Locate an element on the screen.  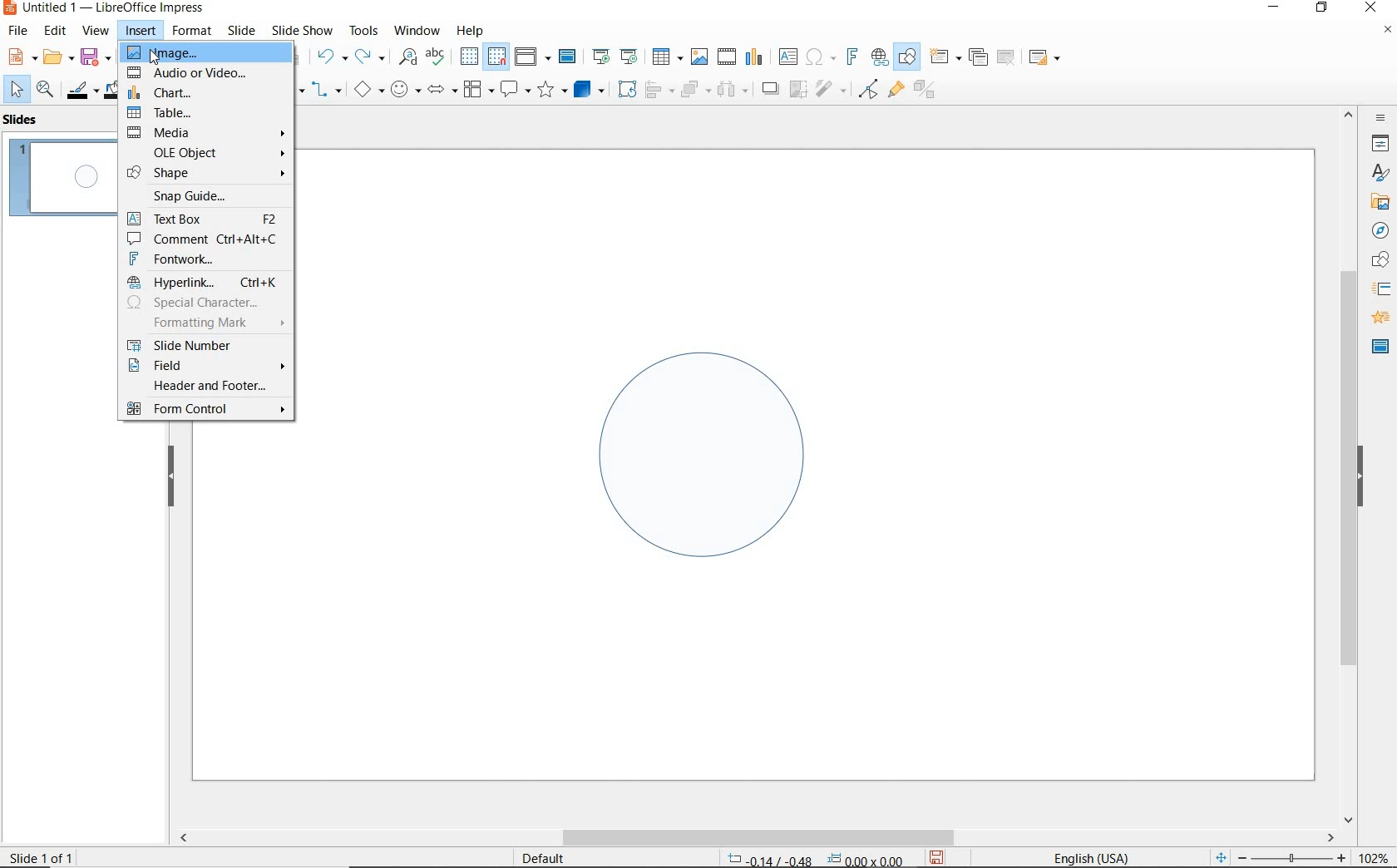
TEXT BOX is located at coordinates (204, 216).